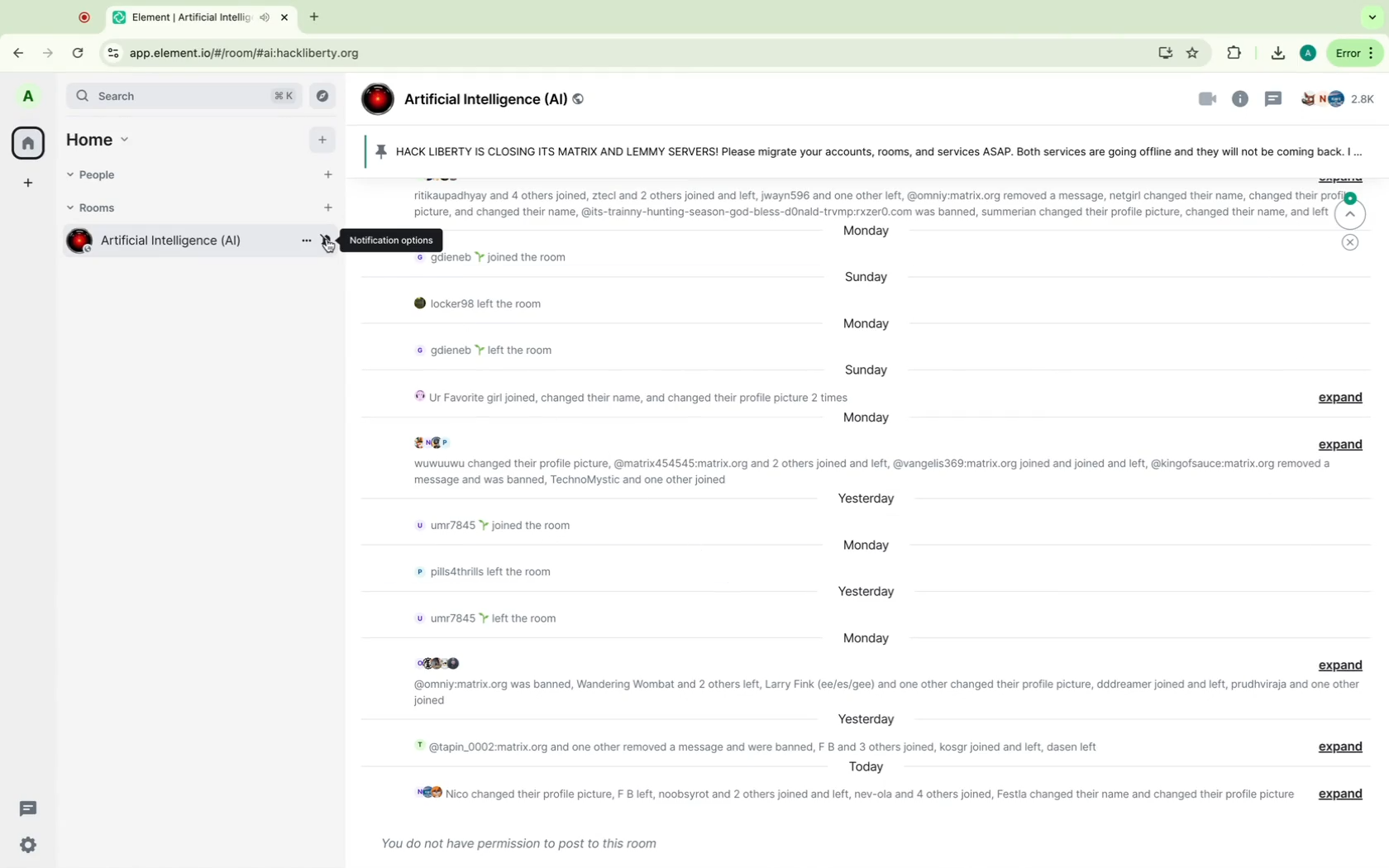  I want to click on notification options, so click(391, 240).